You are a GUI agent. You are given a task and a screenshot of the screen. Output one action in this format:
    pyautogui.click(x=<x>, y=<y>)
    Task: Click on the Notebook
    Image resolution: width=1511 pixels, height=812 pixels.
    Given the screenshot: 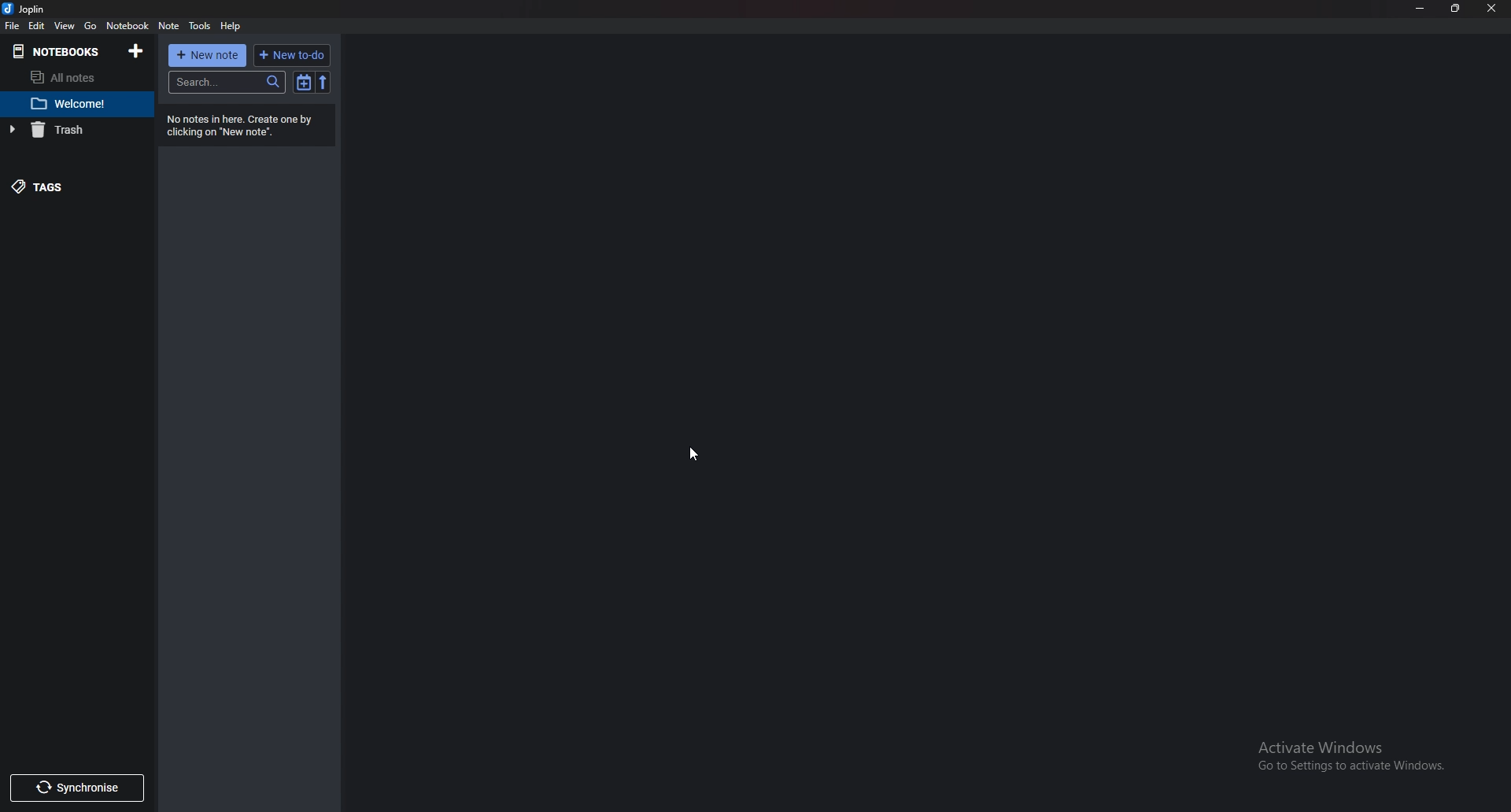 What is the action you would take?
    pyautogui.click(x=59, y=51)
    